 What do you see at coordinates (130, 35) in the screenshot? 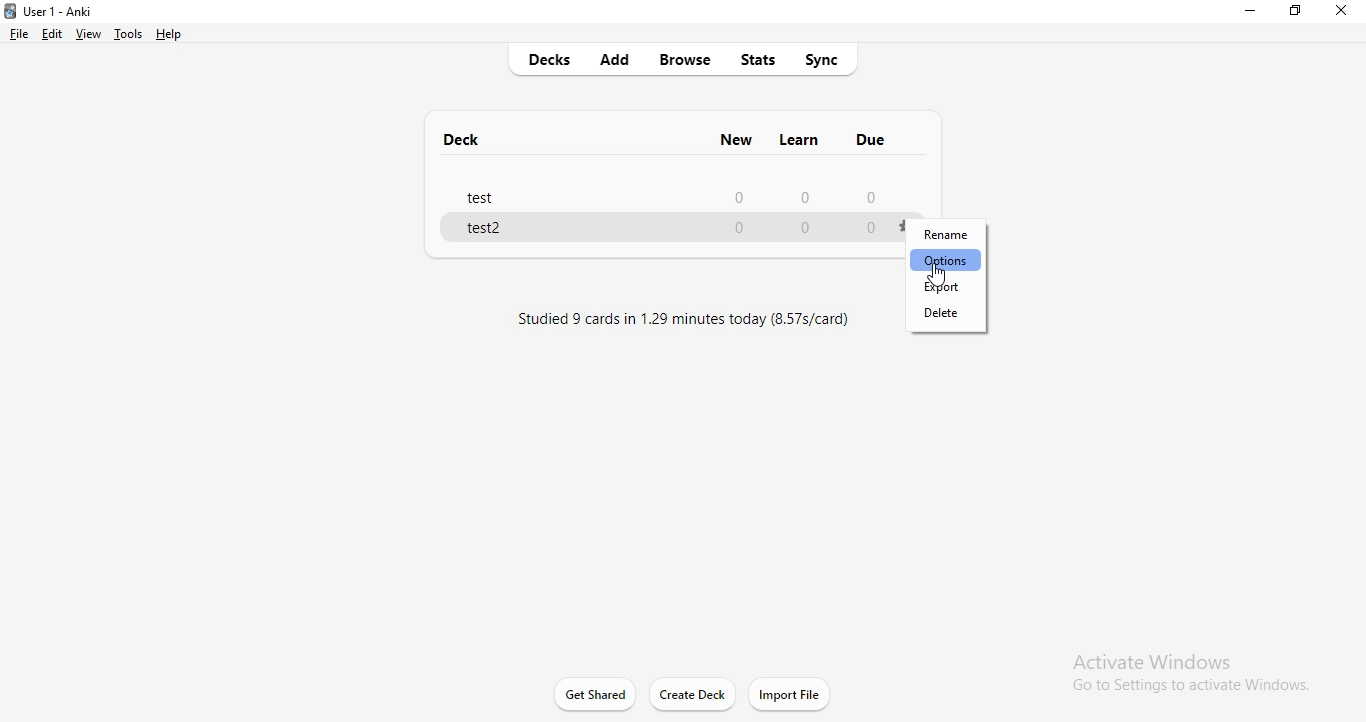
I see `tools` at bounding box center [130, 35].